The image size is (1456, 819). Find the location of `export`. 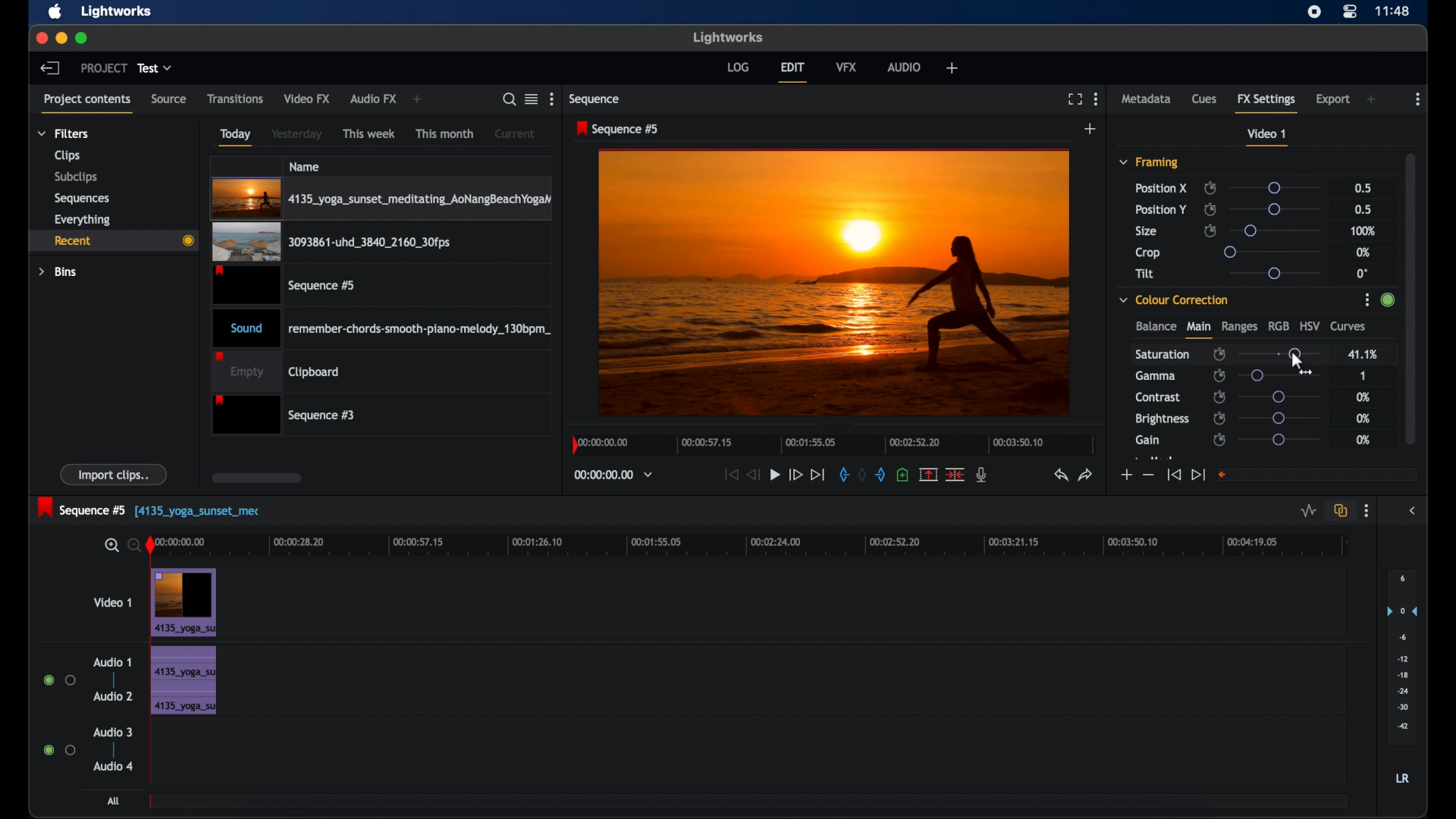

export is located at coordinates (1333, 99).